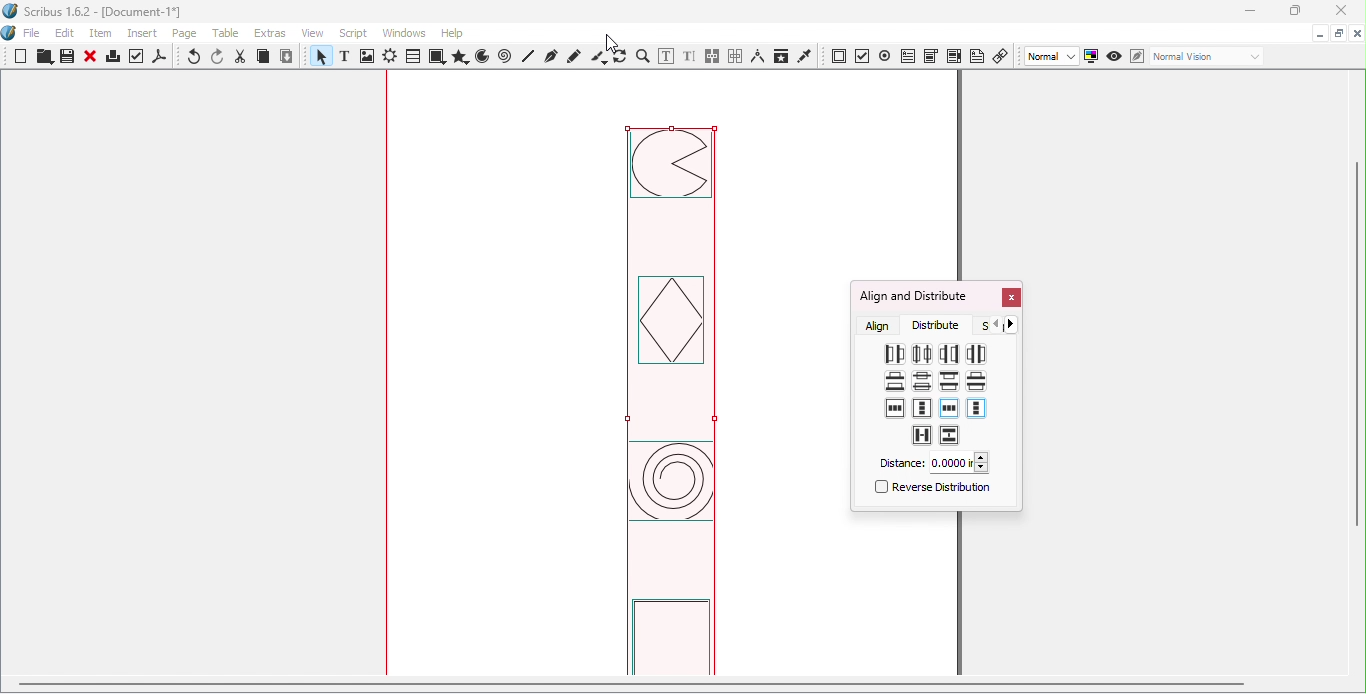  I want to click on Close, so click(1010, 299).